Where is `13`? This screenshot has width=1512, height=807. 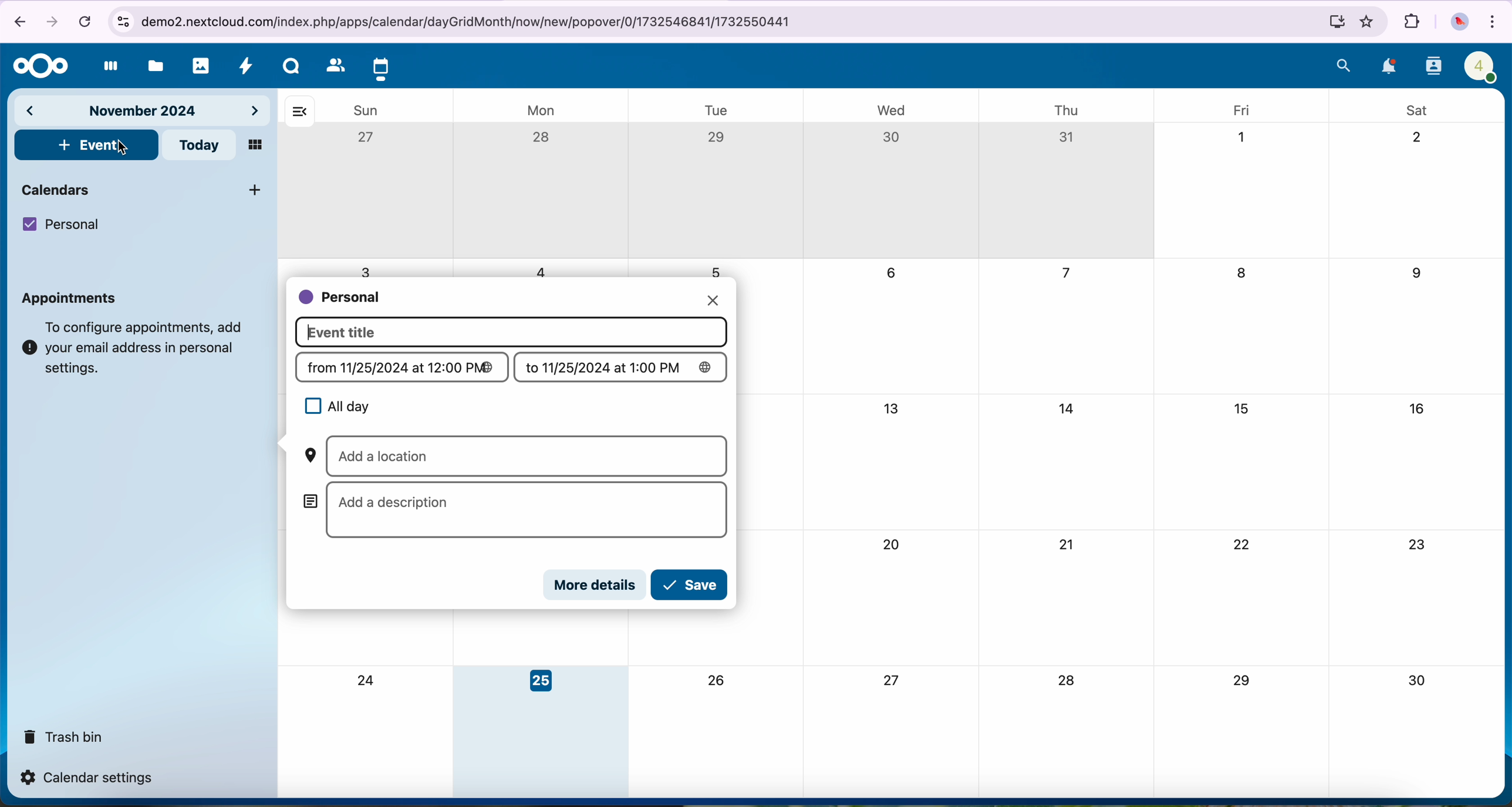 13 is located at coordinates (890, 407).